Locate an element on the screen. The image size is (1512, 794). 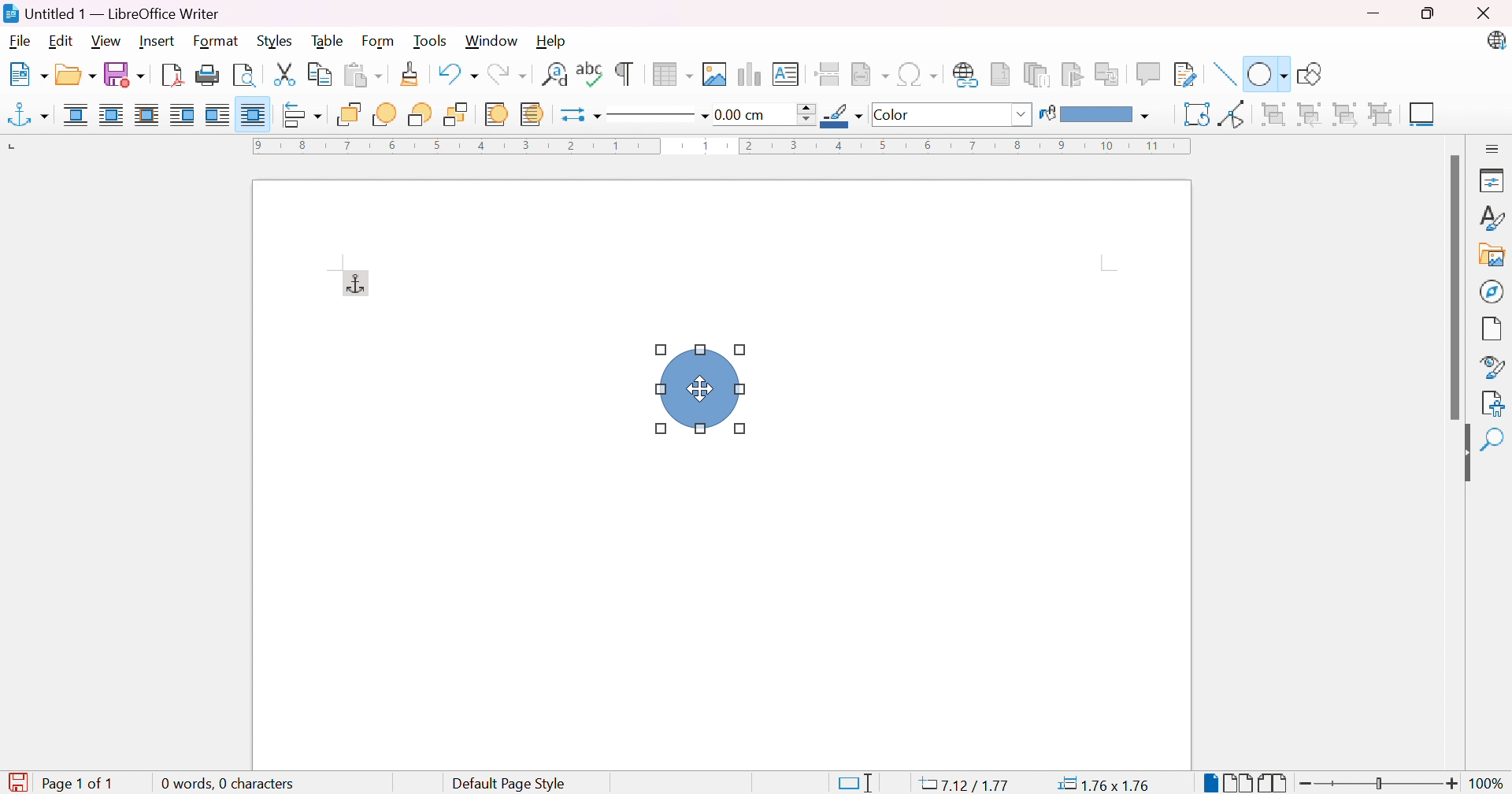
7.12/1.77 is located at coordinates (966, 785).